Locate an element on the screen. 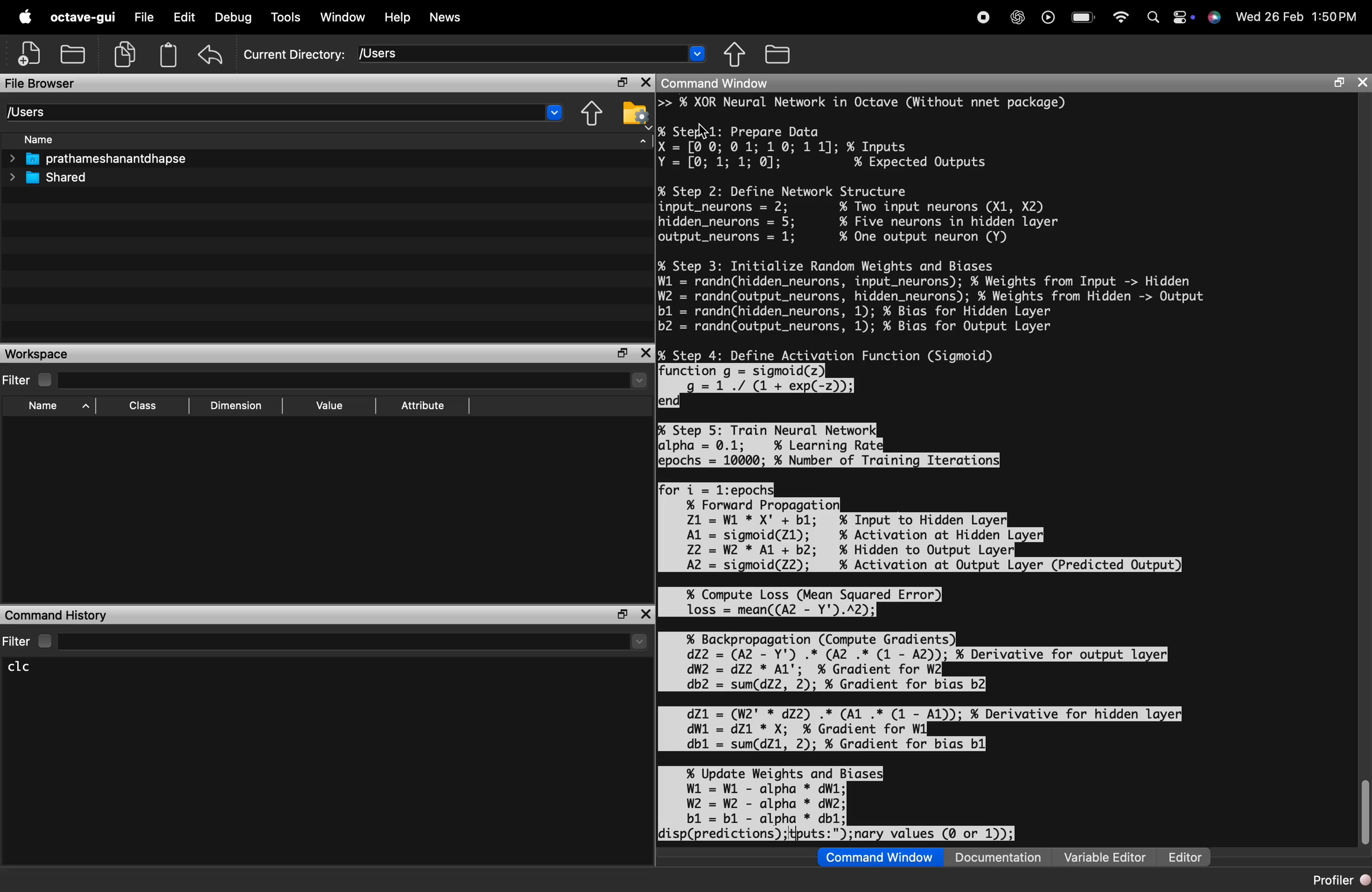 The width and height of the screenshot is (1372, 892). copy is located at coordinates (127, 55).